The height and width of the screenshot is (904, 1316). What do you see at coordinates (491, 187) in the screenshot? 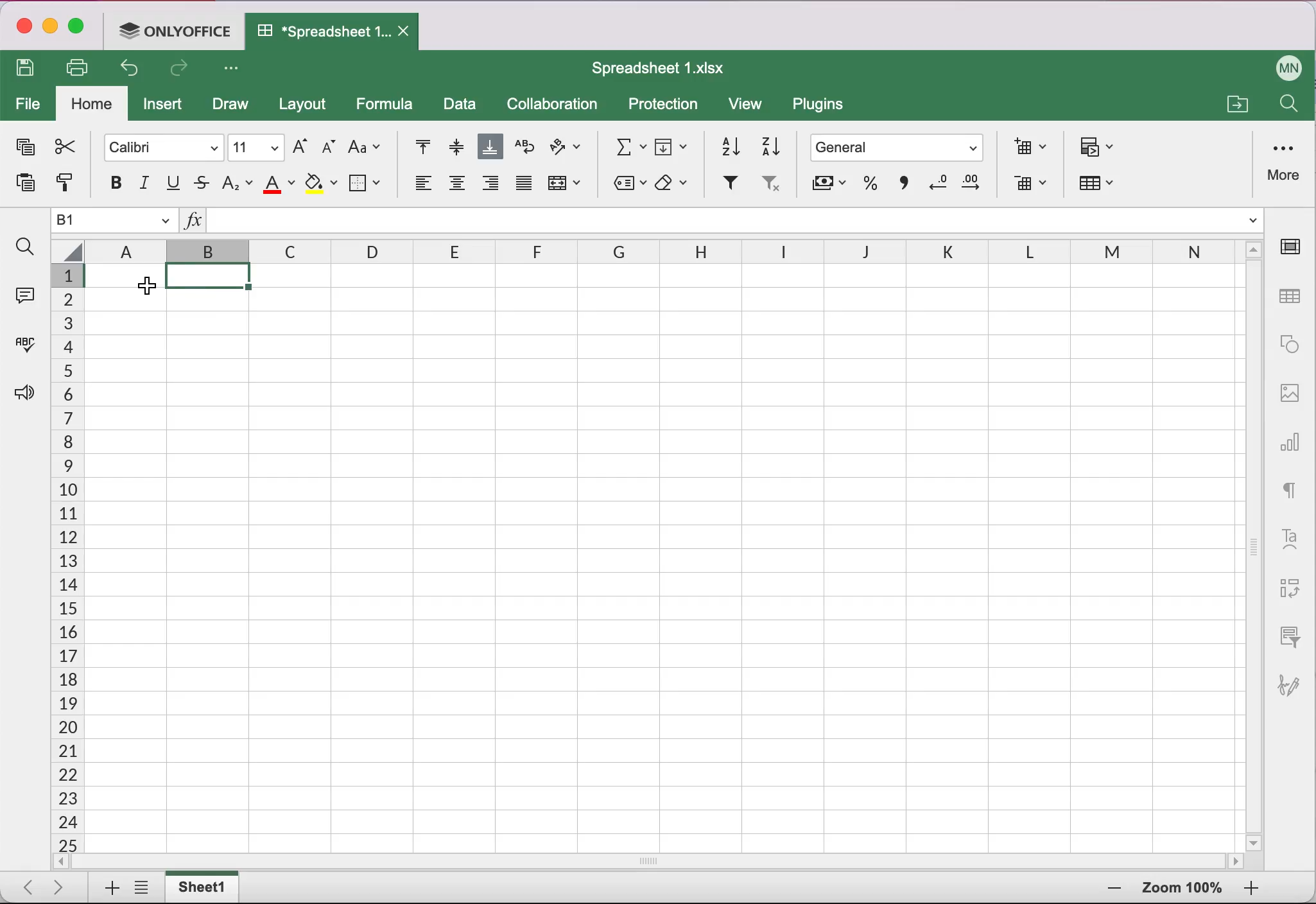
I see `align right` at bounding box center [491, 187].